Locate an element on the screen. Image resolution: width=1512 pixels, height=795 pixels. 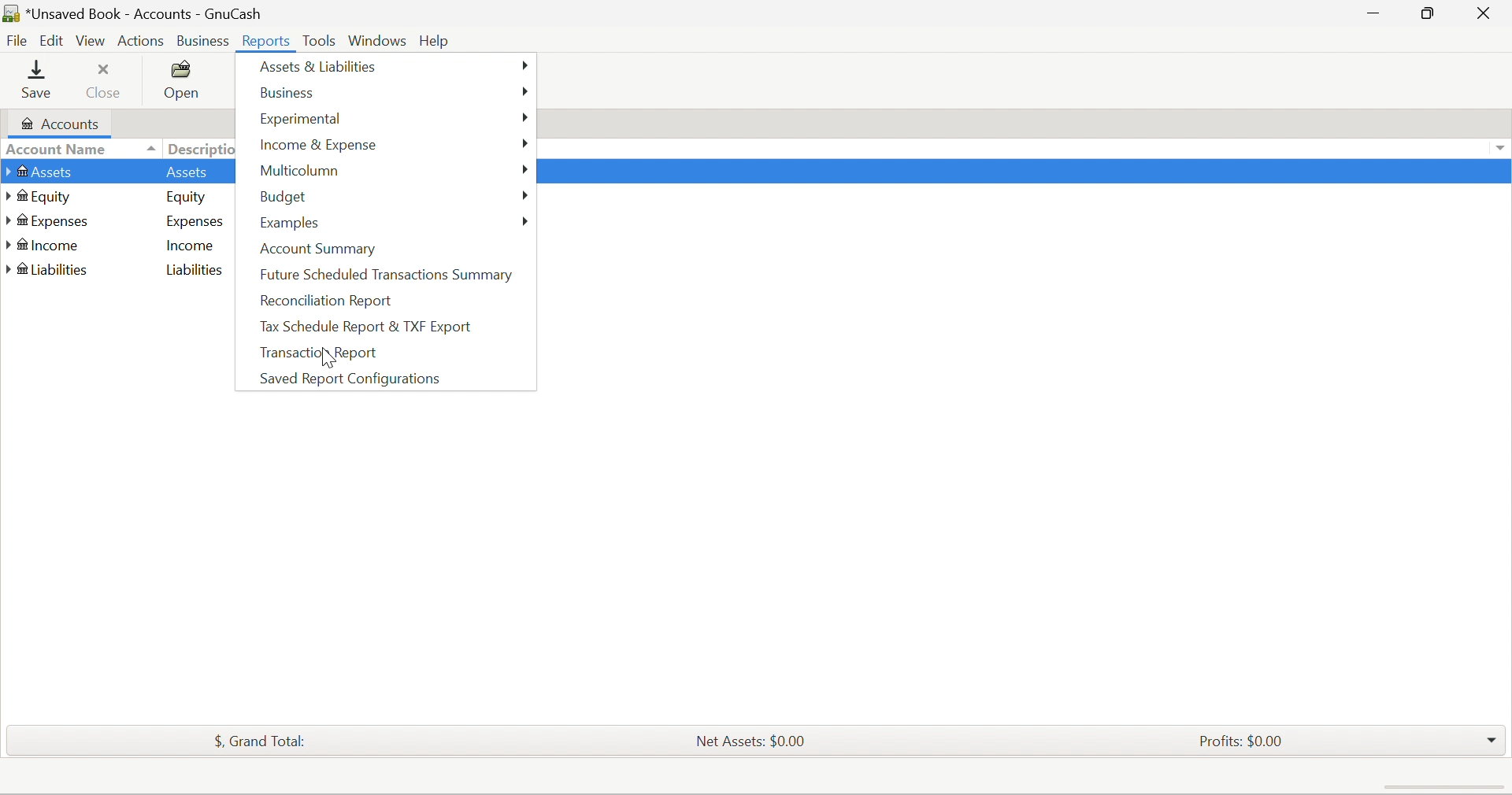
More is located at coordinates (526, 193).